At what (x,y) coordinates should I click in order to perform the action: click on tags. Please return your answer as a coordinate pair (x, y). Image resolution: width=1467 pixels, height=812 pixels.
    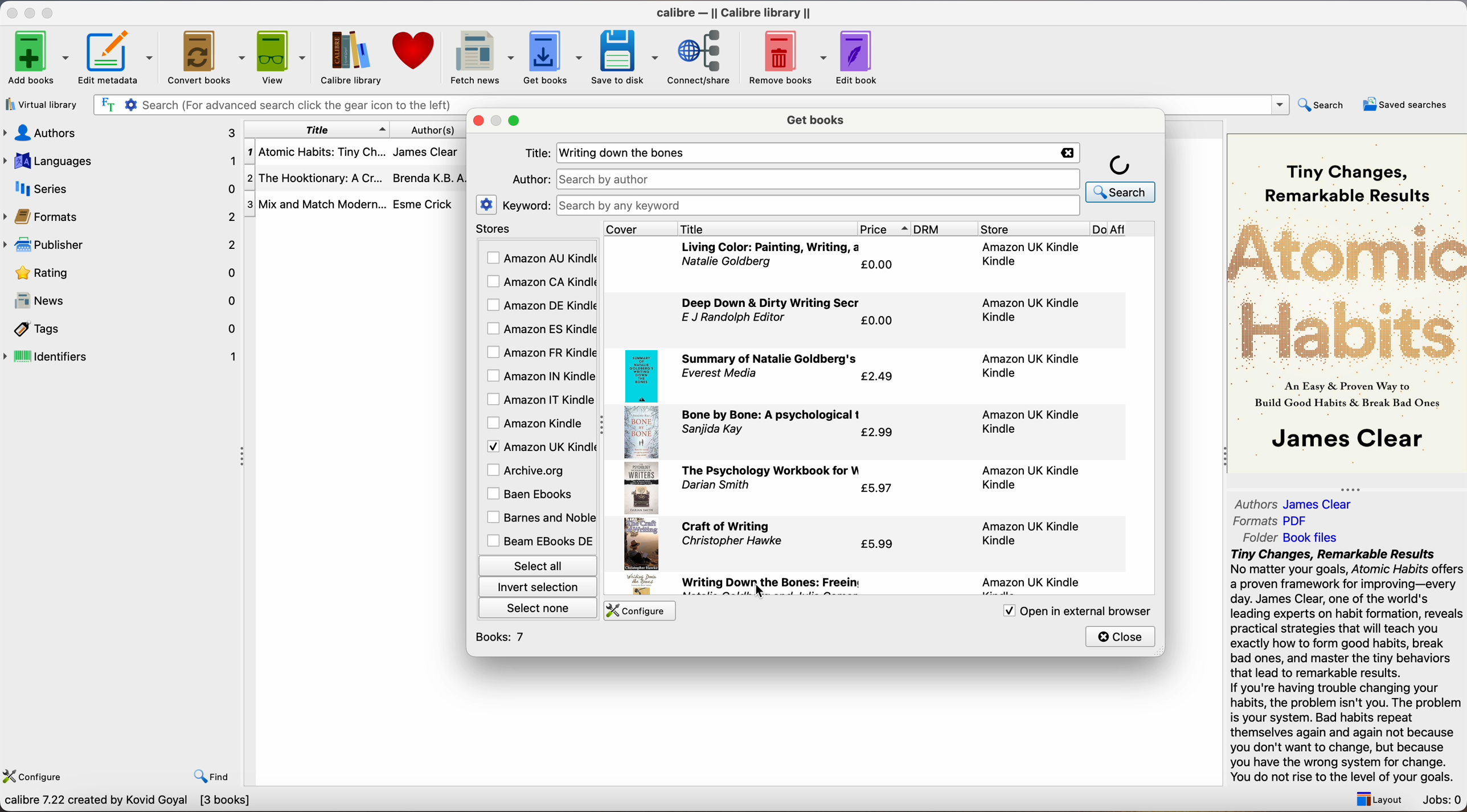
    Looking at the image, I should click on (123, 330).